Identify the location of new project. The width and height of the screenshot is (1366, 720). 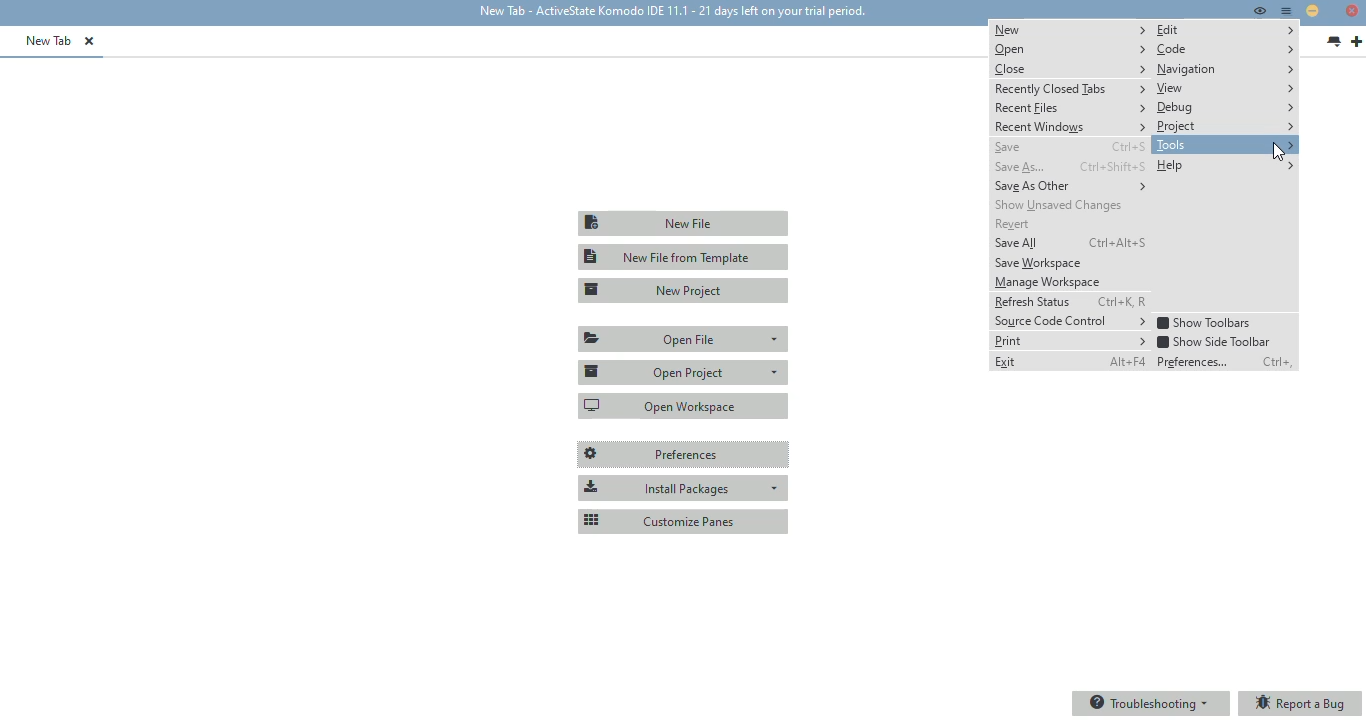
(685, 290).